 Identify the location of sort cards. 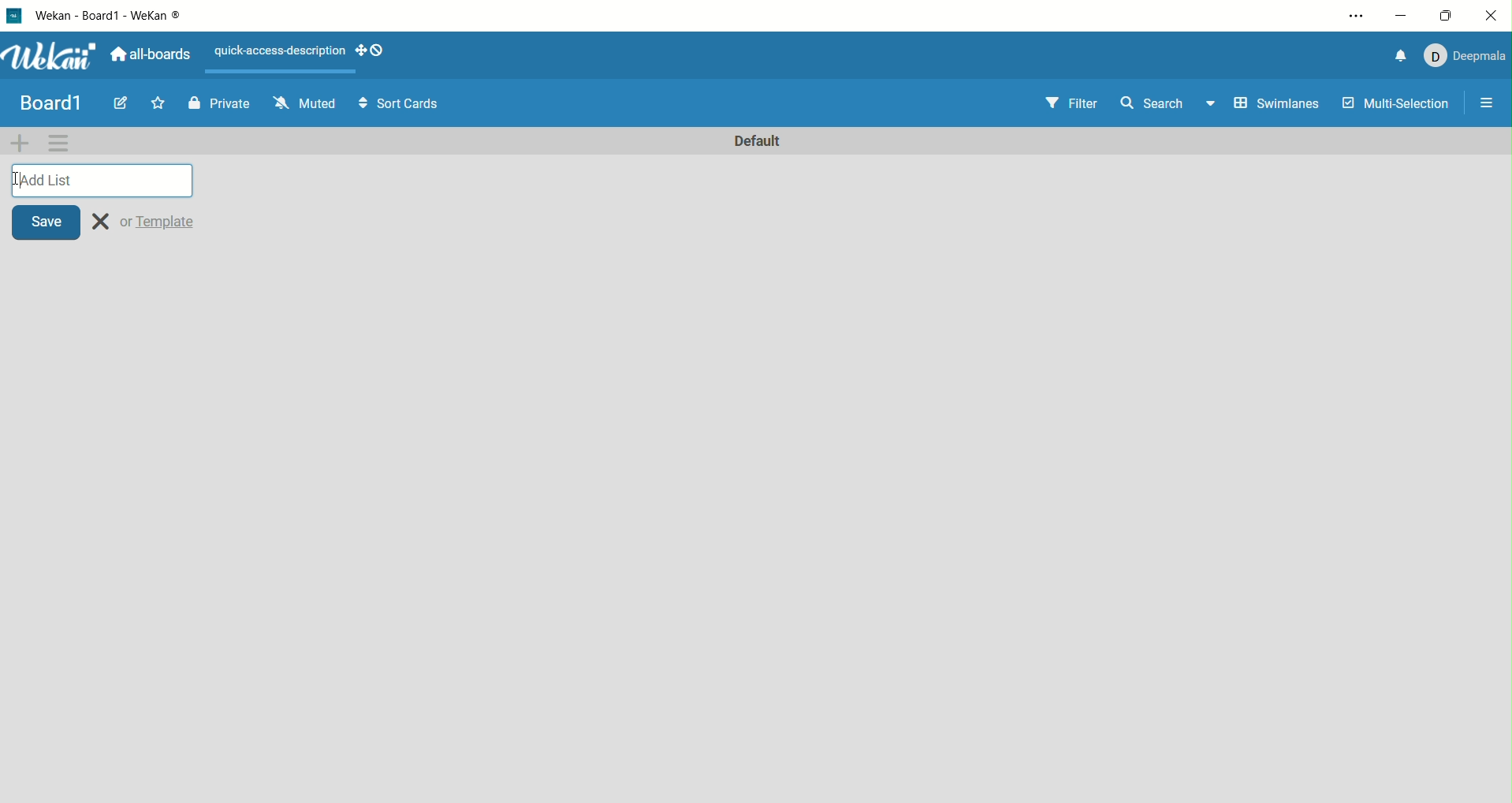
(400, 103).